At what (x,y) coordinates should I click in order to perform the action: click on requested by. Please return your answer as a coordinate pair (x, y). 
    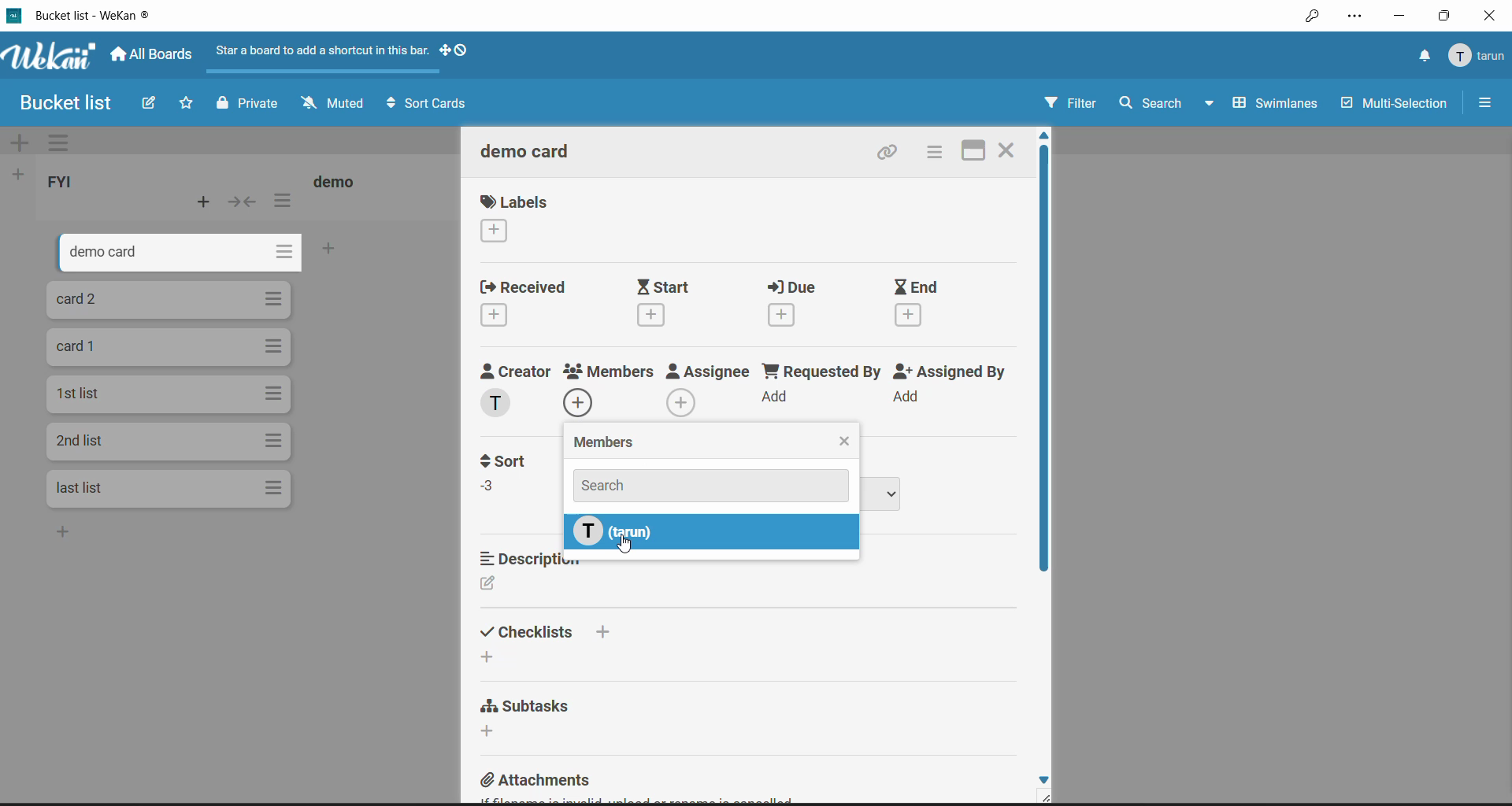
    Looking at the image, I should click on (821, 372).